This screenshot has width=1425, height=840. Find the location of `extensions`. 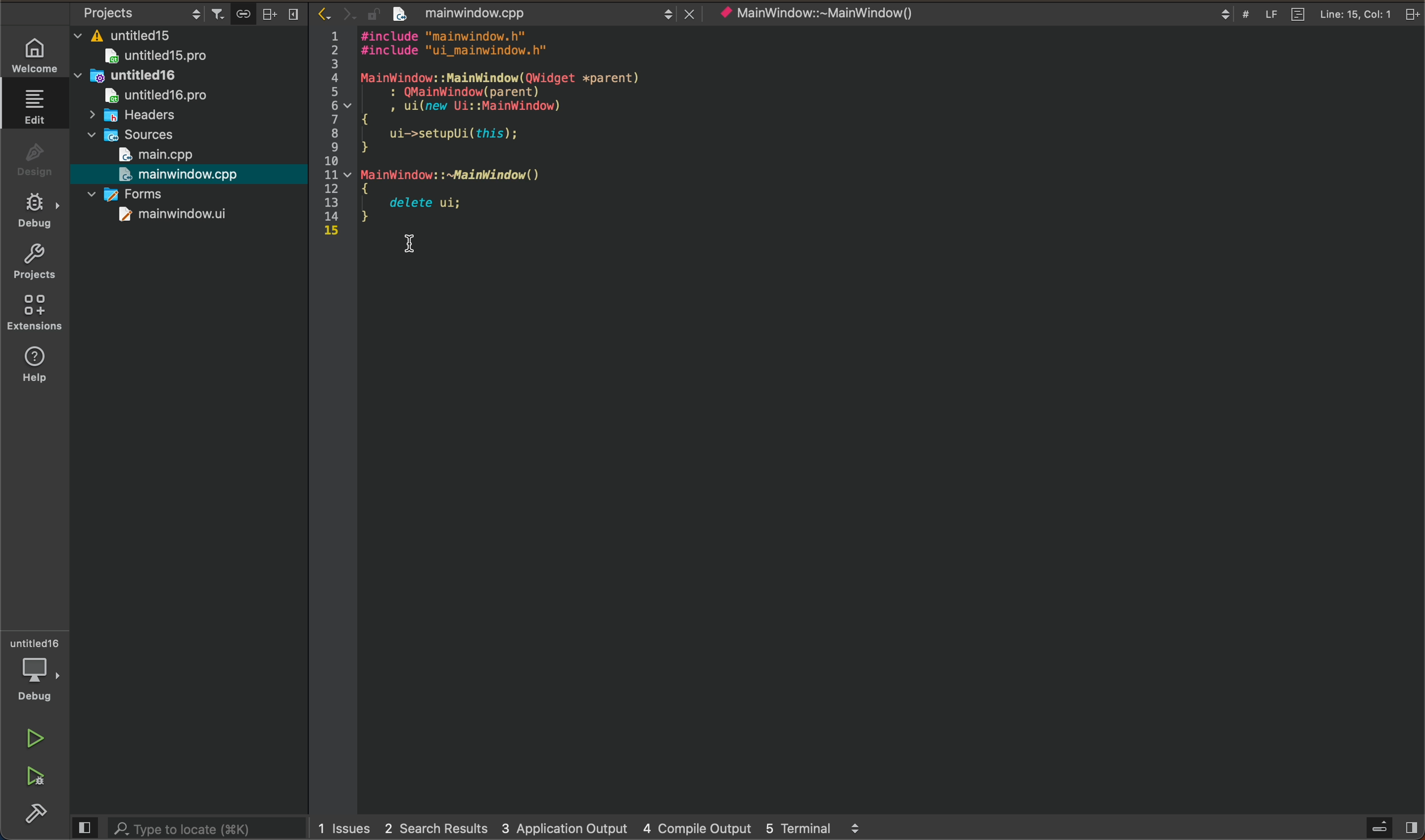

extensions is located at coordinates (34, 312).